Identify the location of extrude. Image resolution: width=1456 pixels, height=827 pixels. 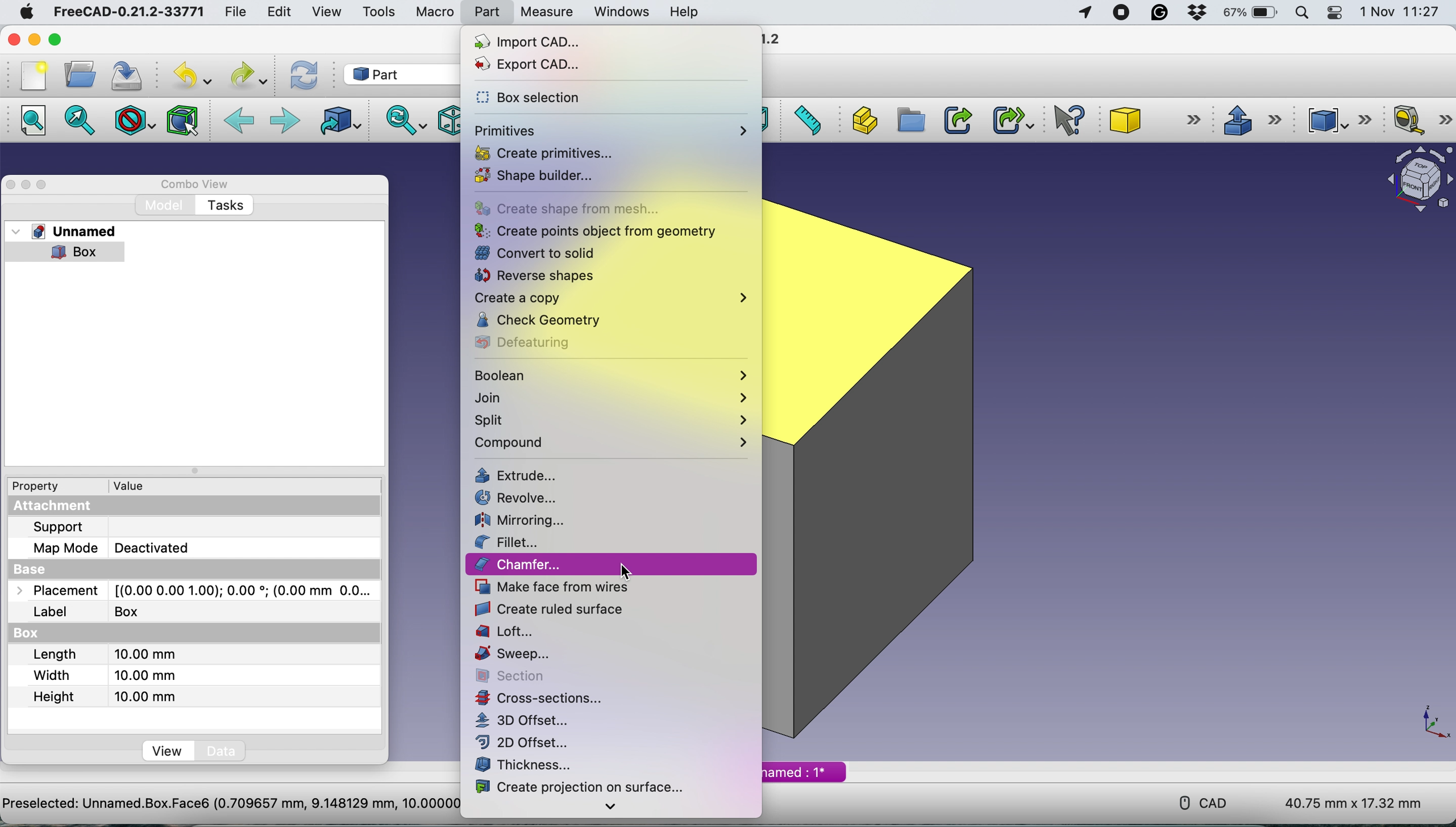
(518, 477).